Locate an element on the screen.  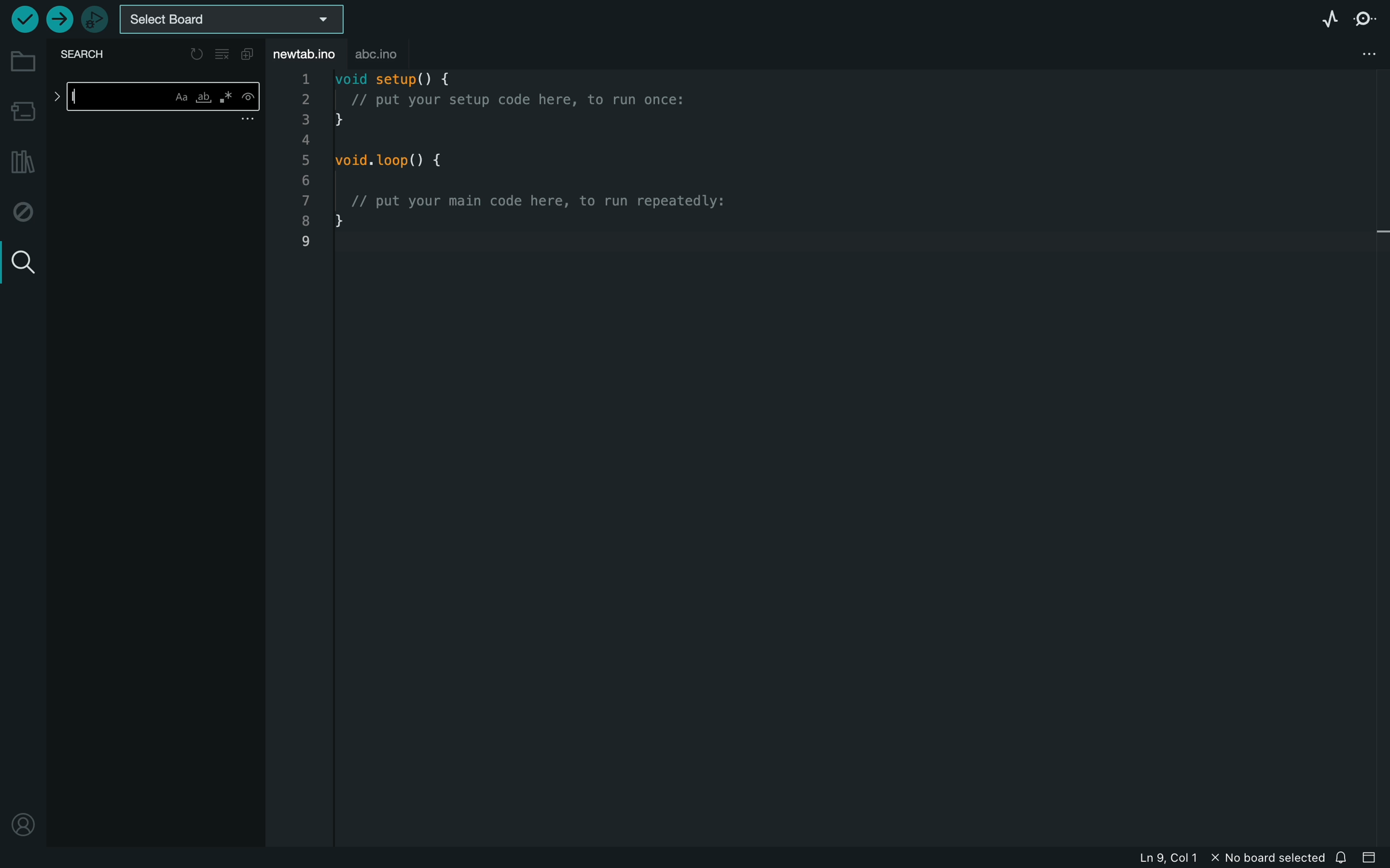
clear is located at coordinates (223, 55).